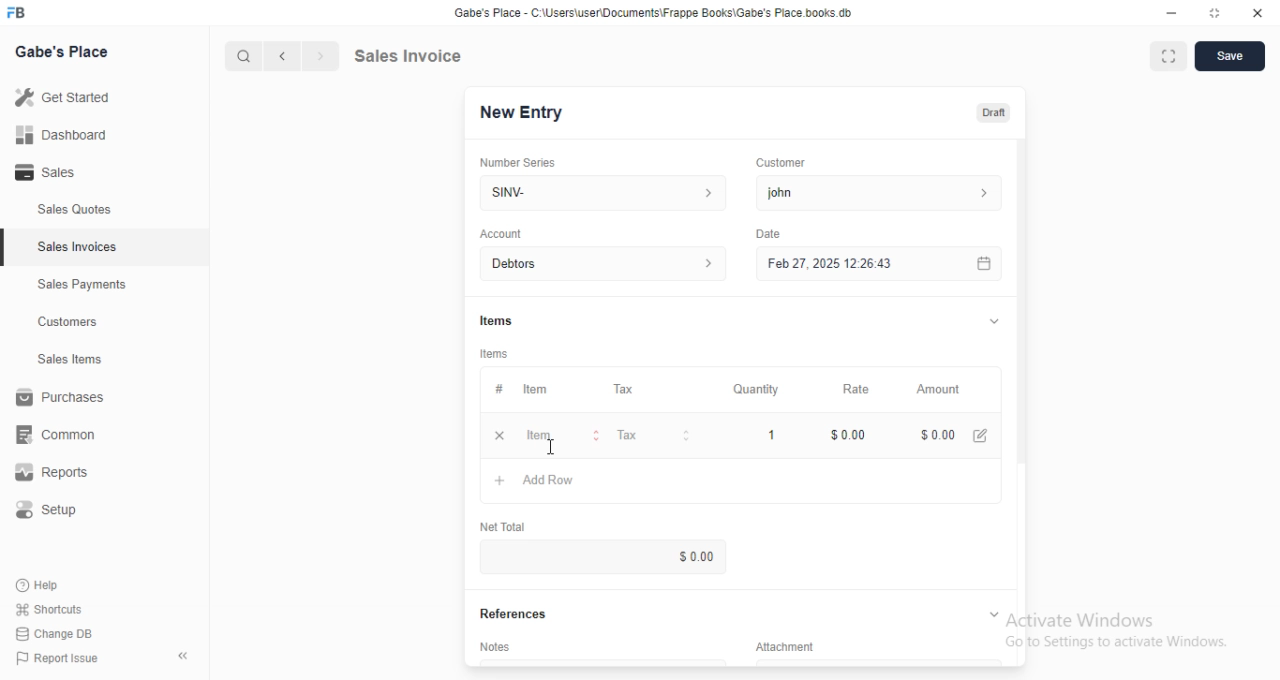 The height and width of the screenshot is (680, 1280). What do you see at coordinates (501, 527) in the screenshot?
I see `Net Total` at bounding box center [501, 527].